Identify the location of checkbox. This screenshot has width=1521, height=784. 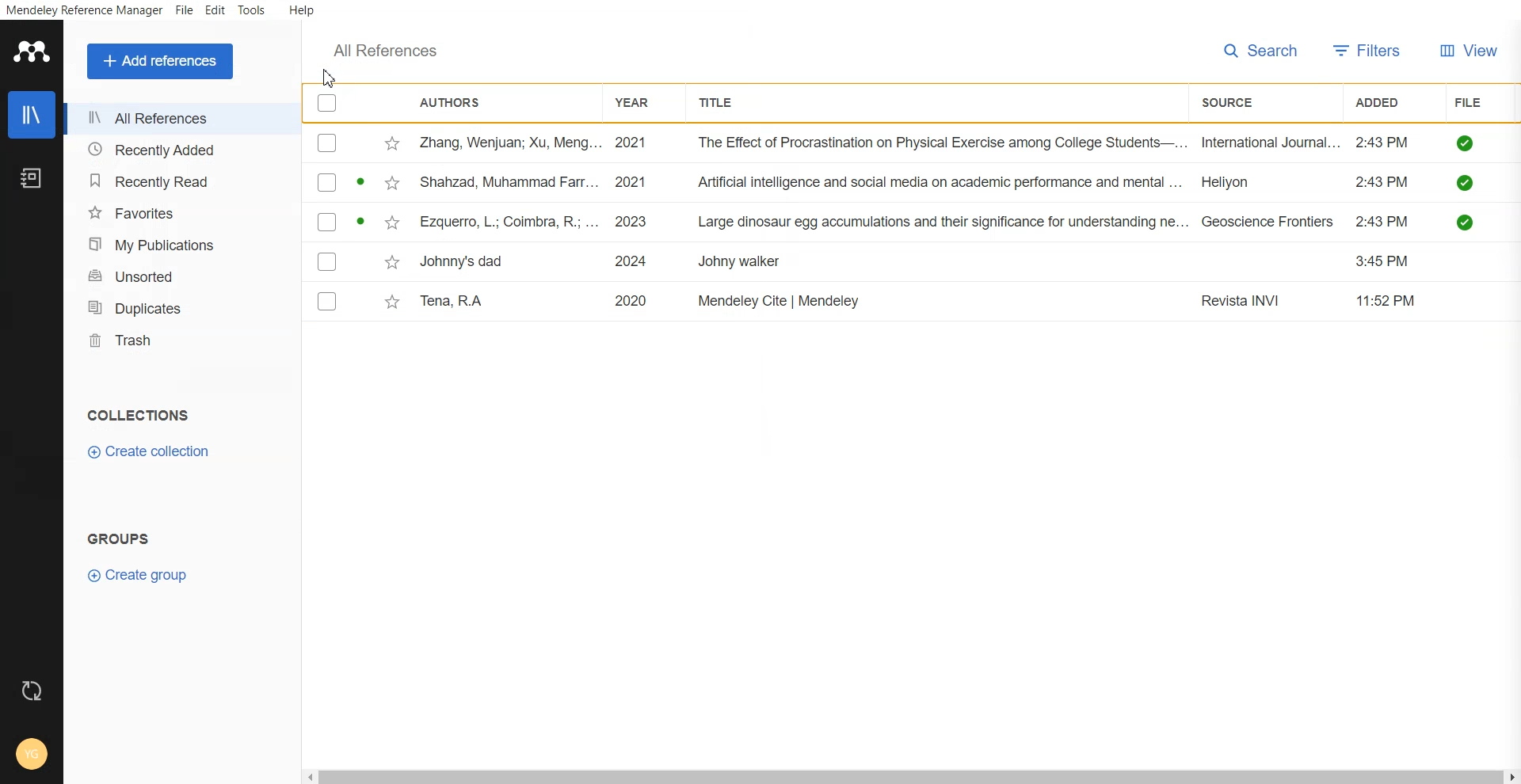
(327, 182).